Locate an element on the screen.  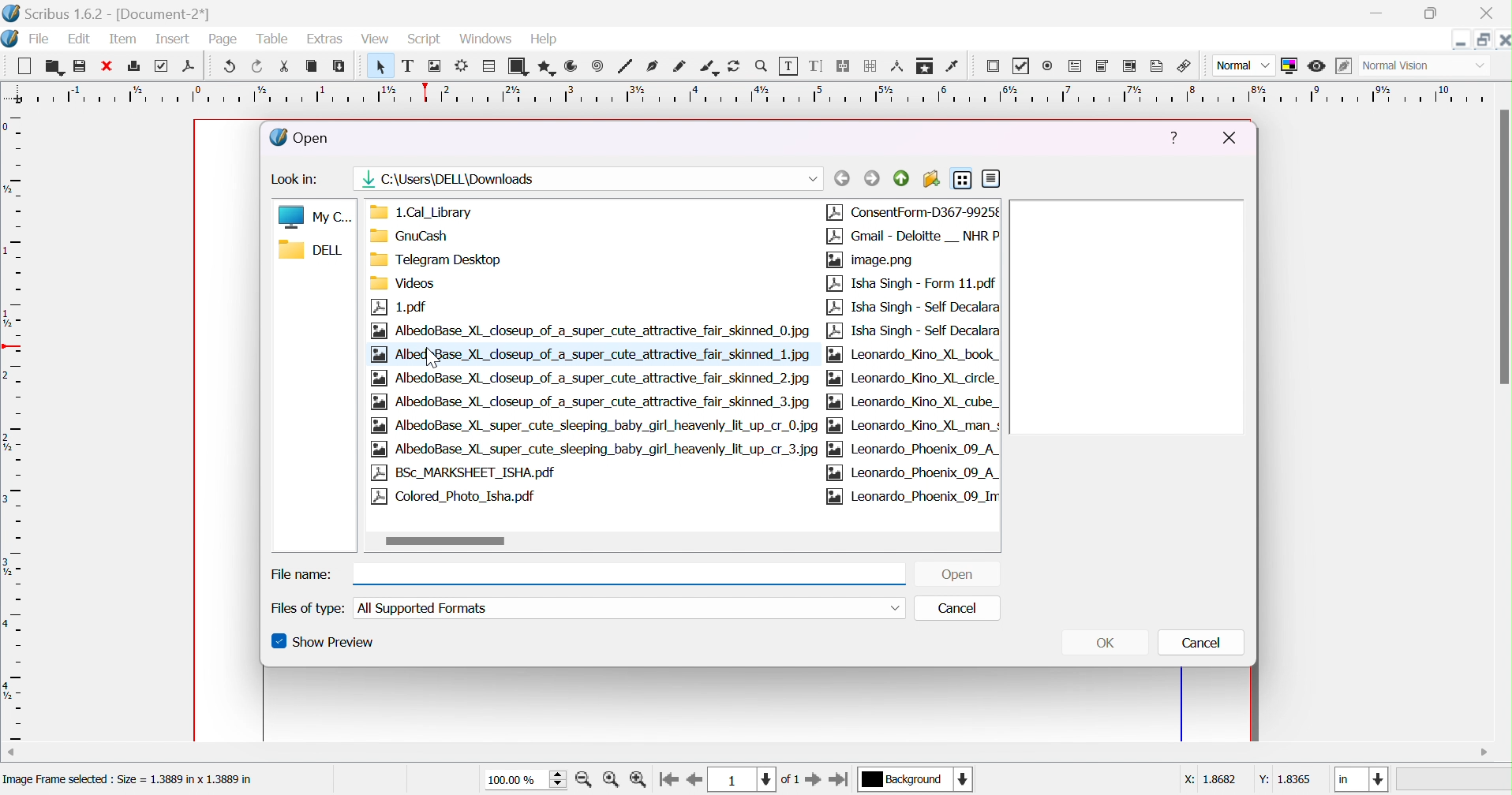
 BSc_MARKSHEET_ISHA.pdf is located at coordinates (479, 473).